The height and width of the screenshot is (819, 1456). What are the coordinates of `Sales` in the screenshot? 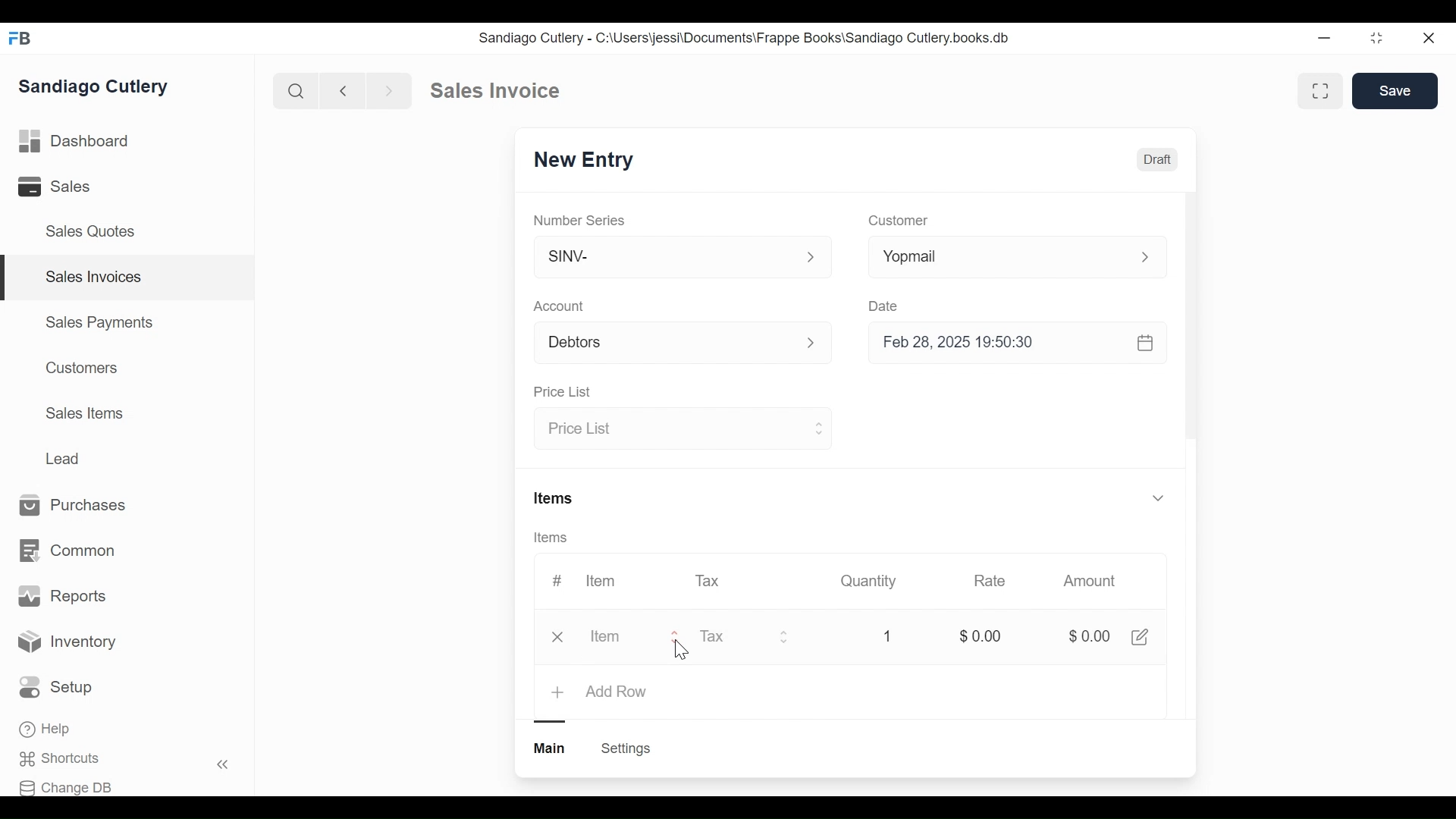 It's located at (57, 186).